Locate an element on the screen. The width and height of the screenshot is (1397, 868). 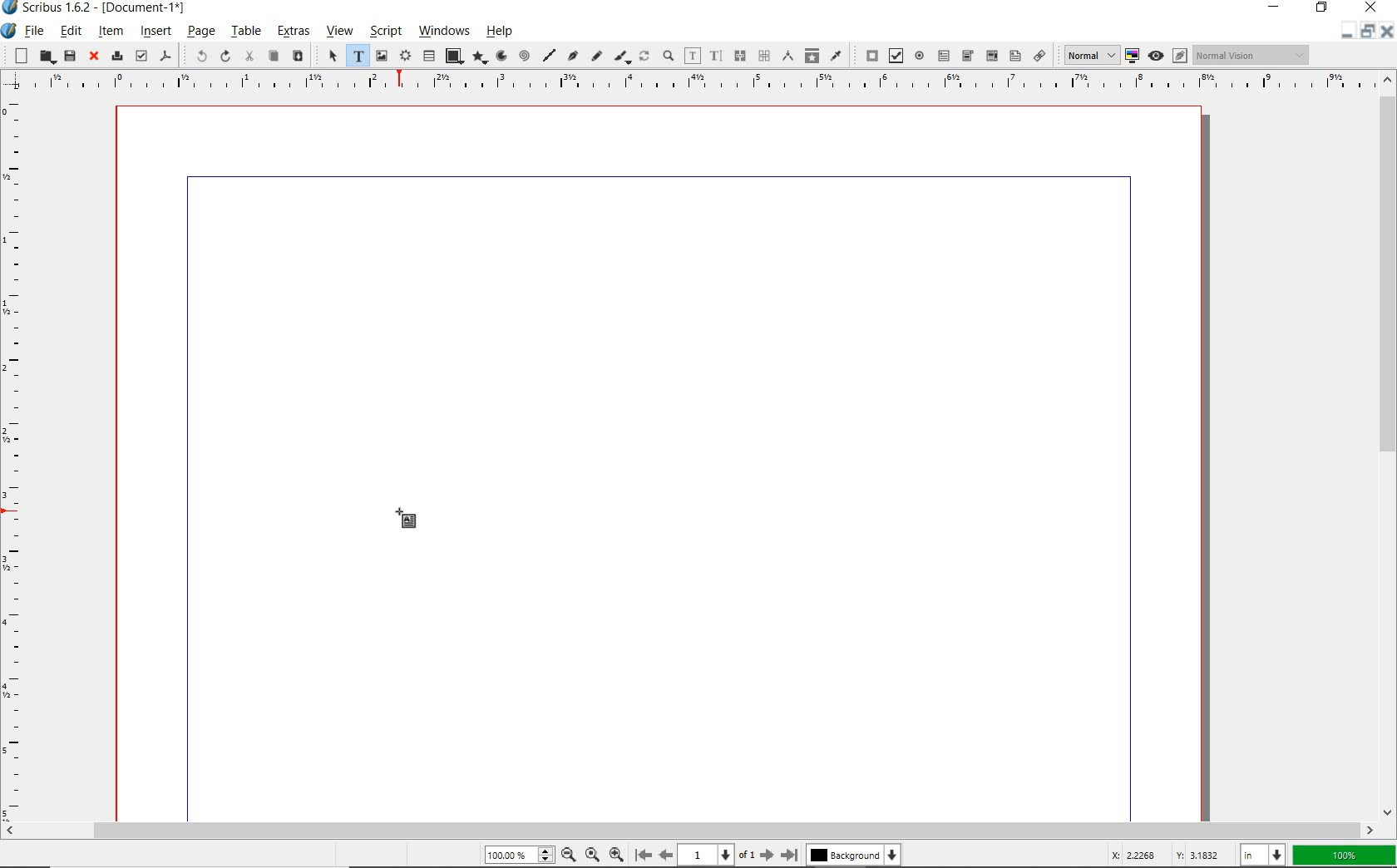
table is located at coordinates (429, 57).